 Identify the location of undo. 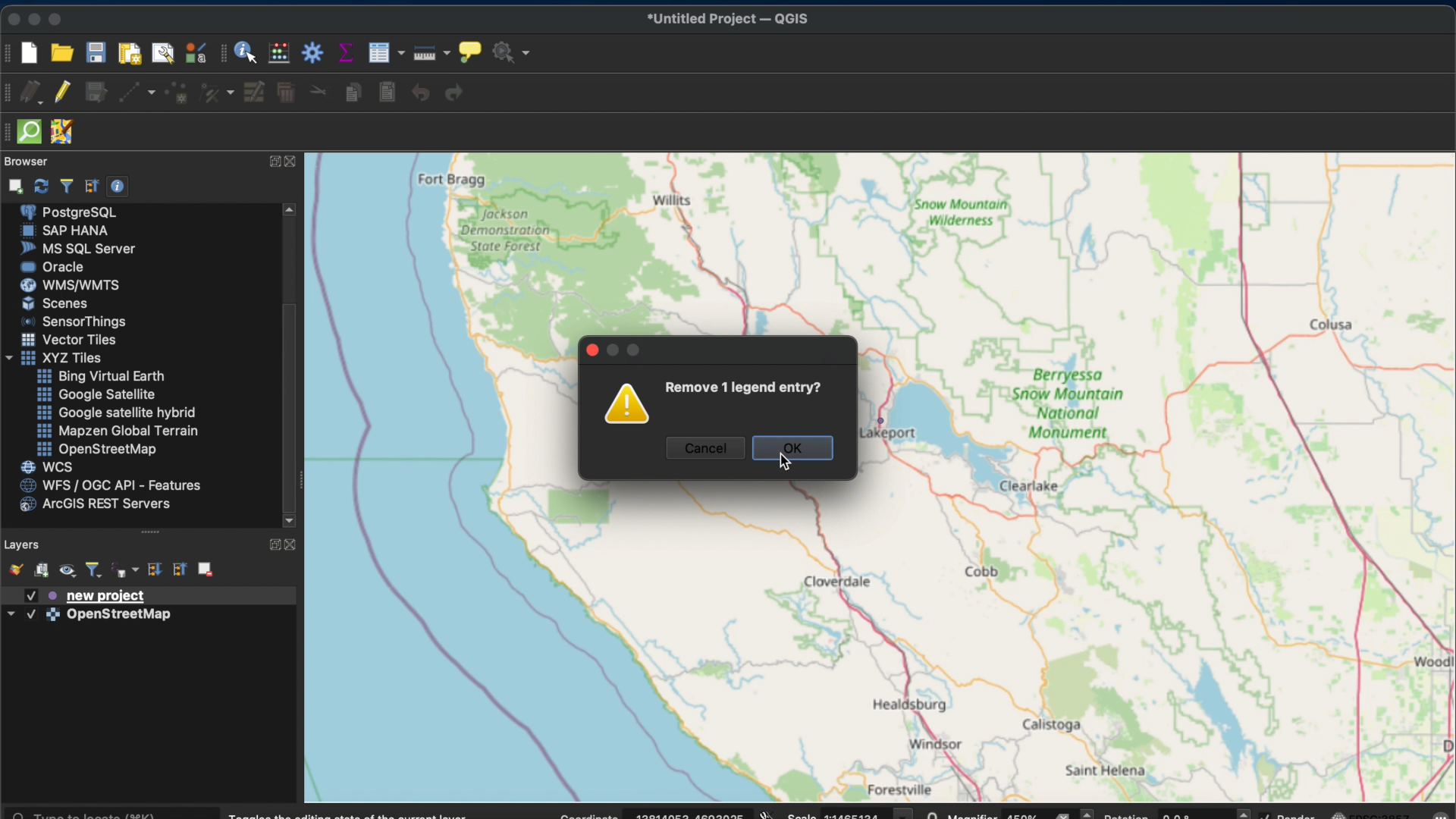
(422, 93).